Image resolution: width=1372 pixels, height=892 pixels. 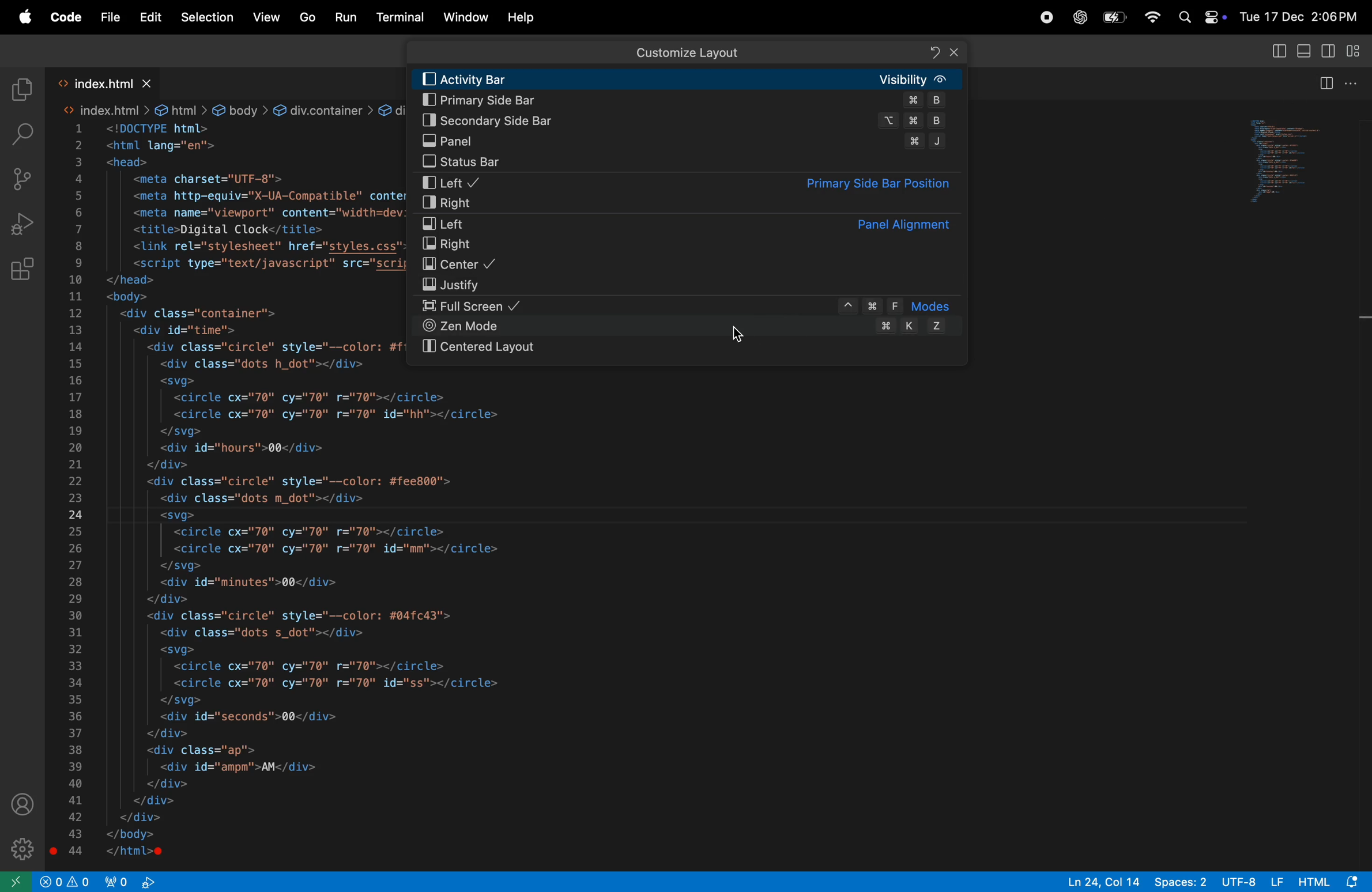 What do you see at coordinates (73, 492) in the screenshot?
I see `1 2 3 4 5 6 7 8 9 10 11 12 13 14 15 16 17 18 19 20 21 22 23 24 25 26 27 28 29 30 31 32 33 34 35 36 37 38 39 40 41 42 43 44` at bounding box center [73, 492].